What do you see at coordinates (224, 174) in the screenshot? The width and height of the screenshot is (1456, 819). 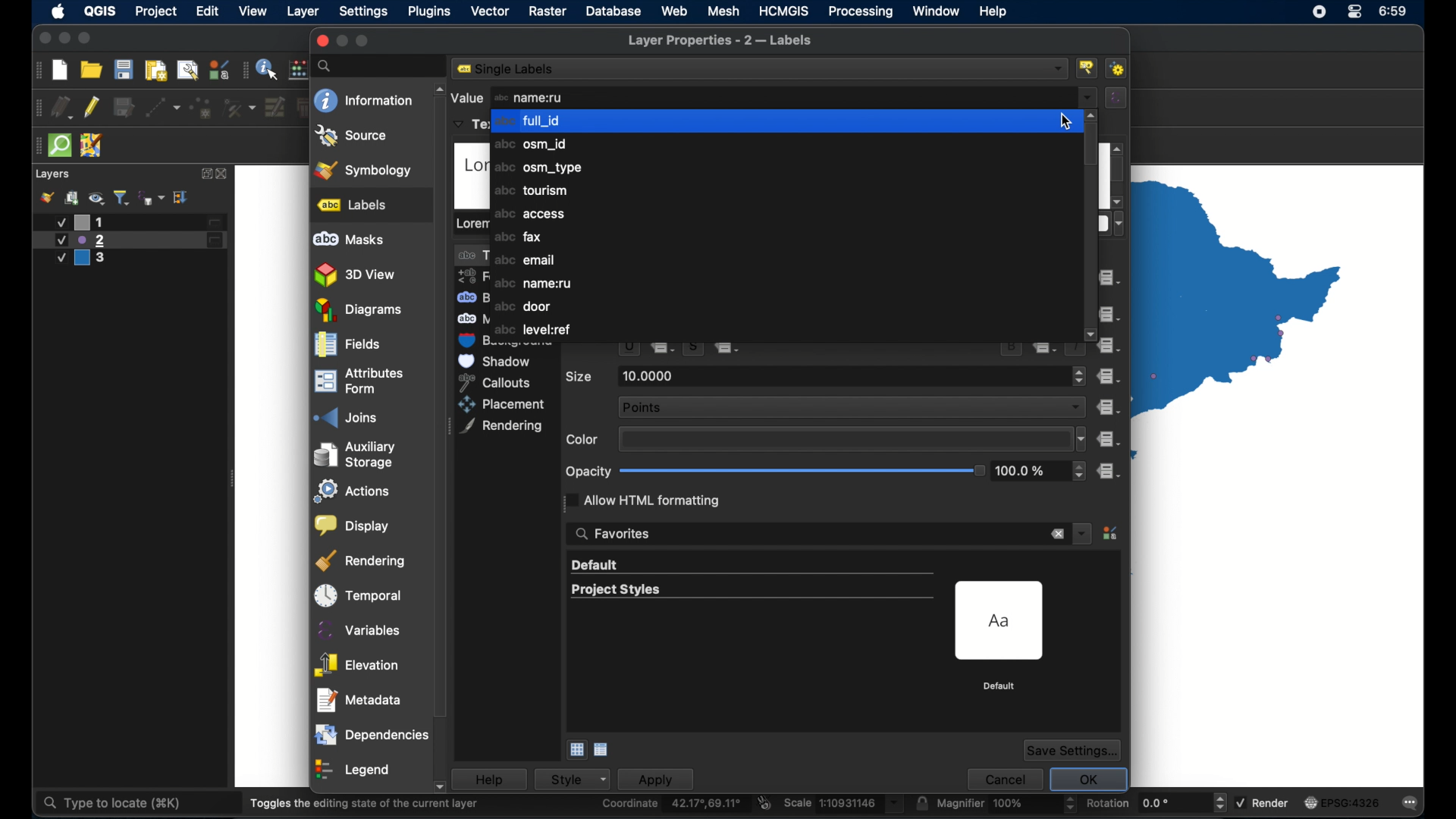 I see `close` at bounding box center [224, 174].